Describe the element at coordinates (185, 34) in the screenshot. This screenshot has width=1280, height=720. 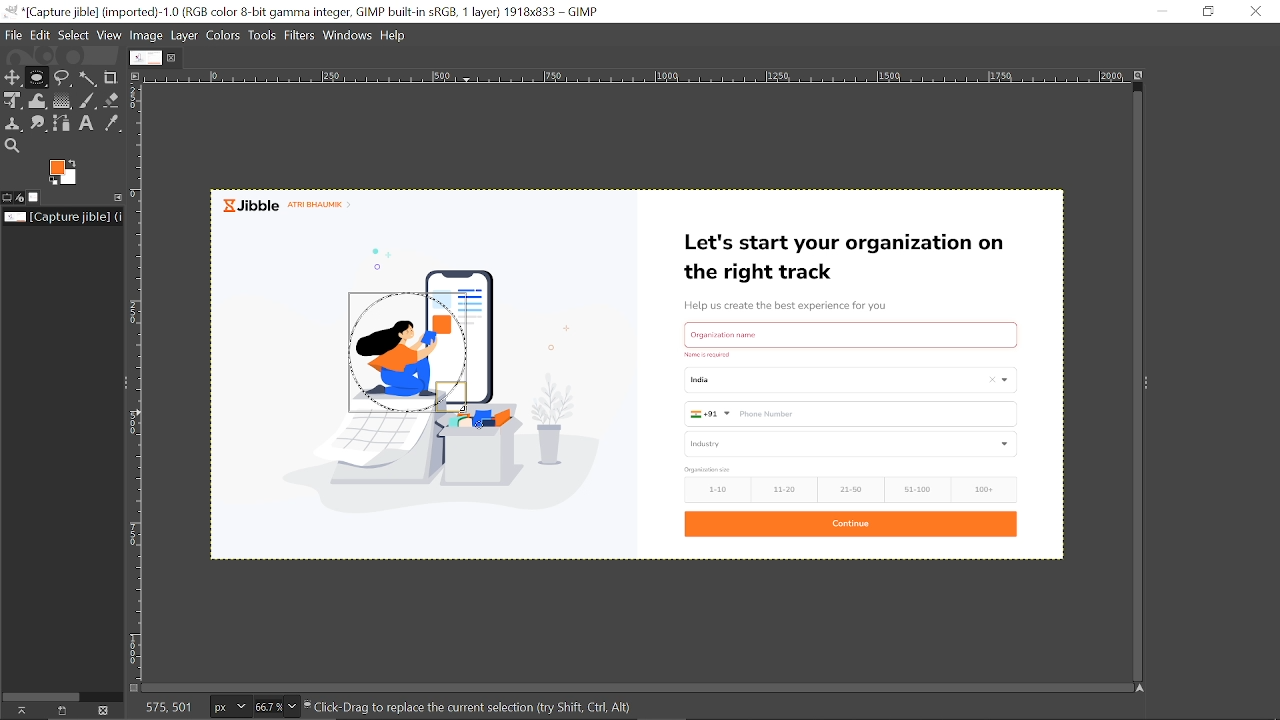
I see `layer` at that location.